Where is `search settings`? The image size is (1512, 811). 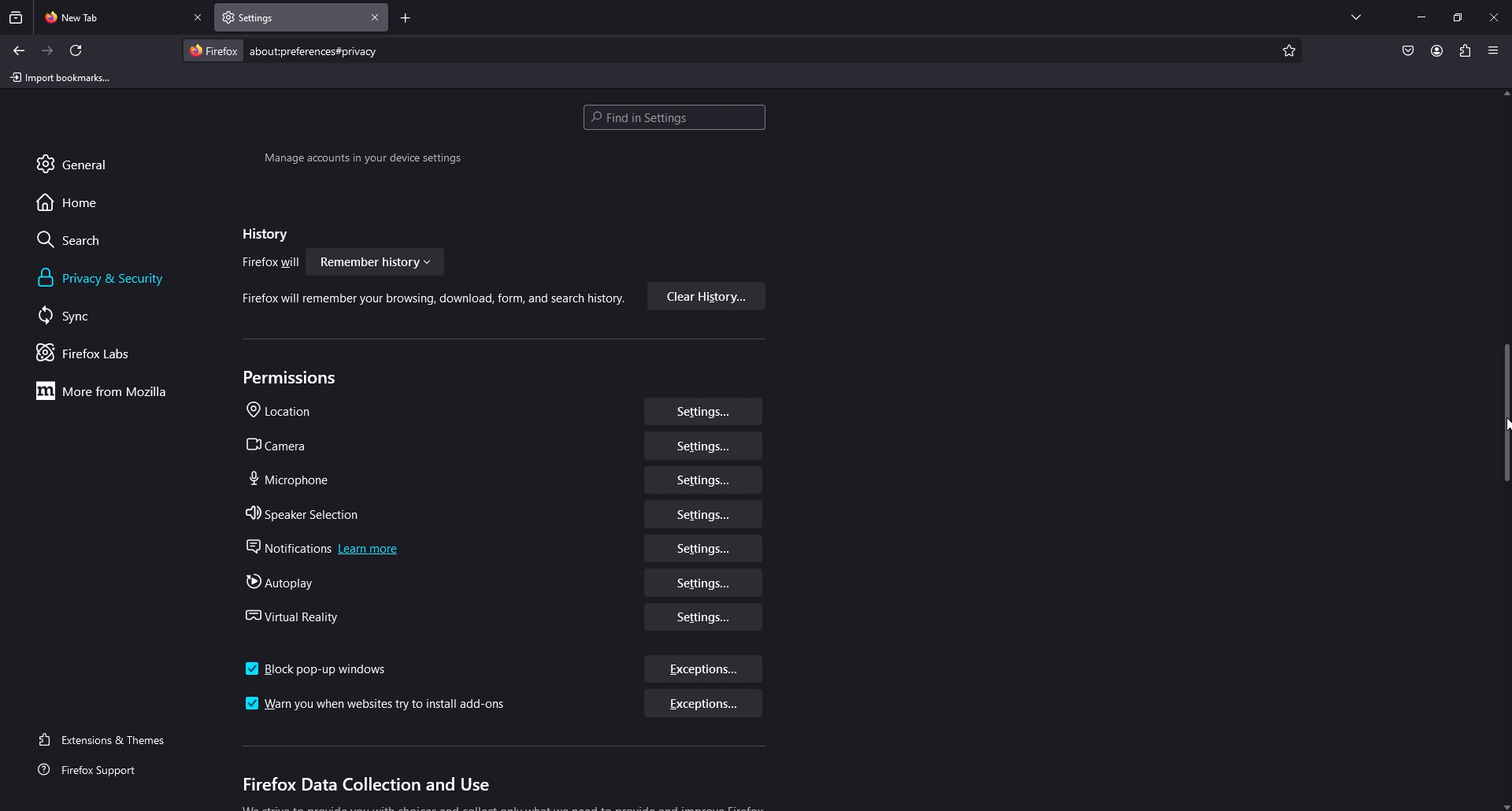
search settings is located at coordinates (674, 119).